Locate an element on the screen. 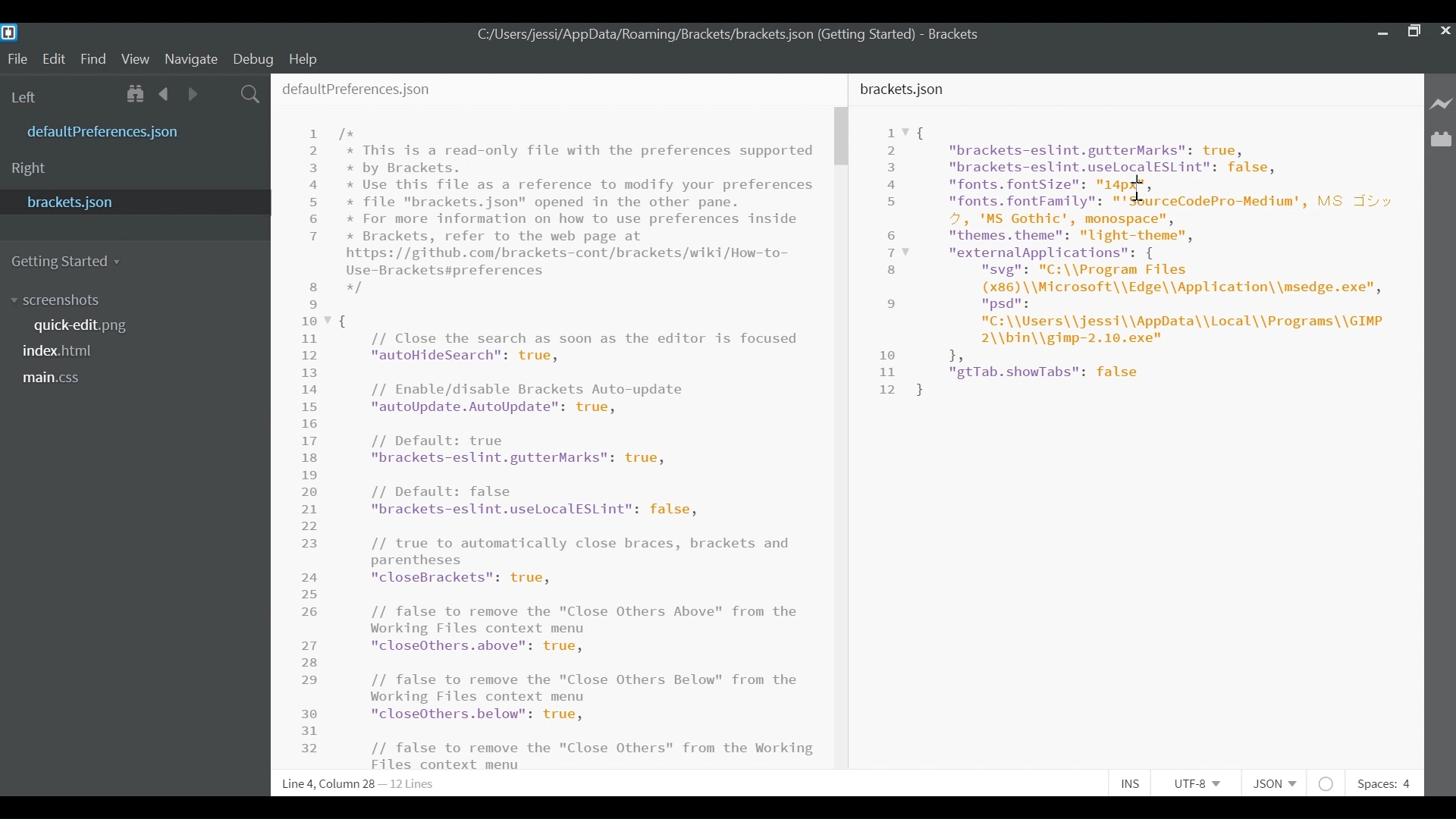 The width and height of the screenshot is (1456, 819). Find in Files is located at coordinates (252, 96).